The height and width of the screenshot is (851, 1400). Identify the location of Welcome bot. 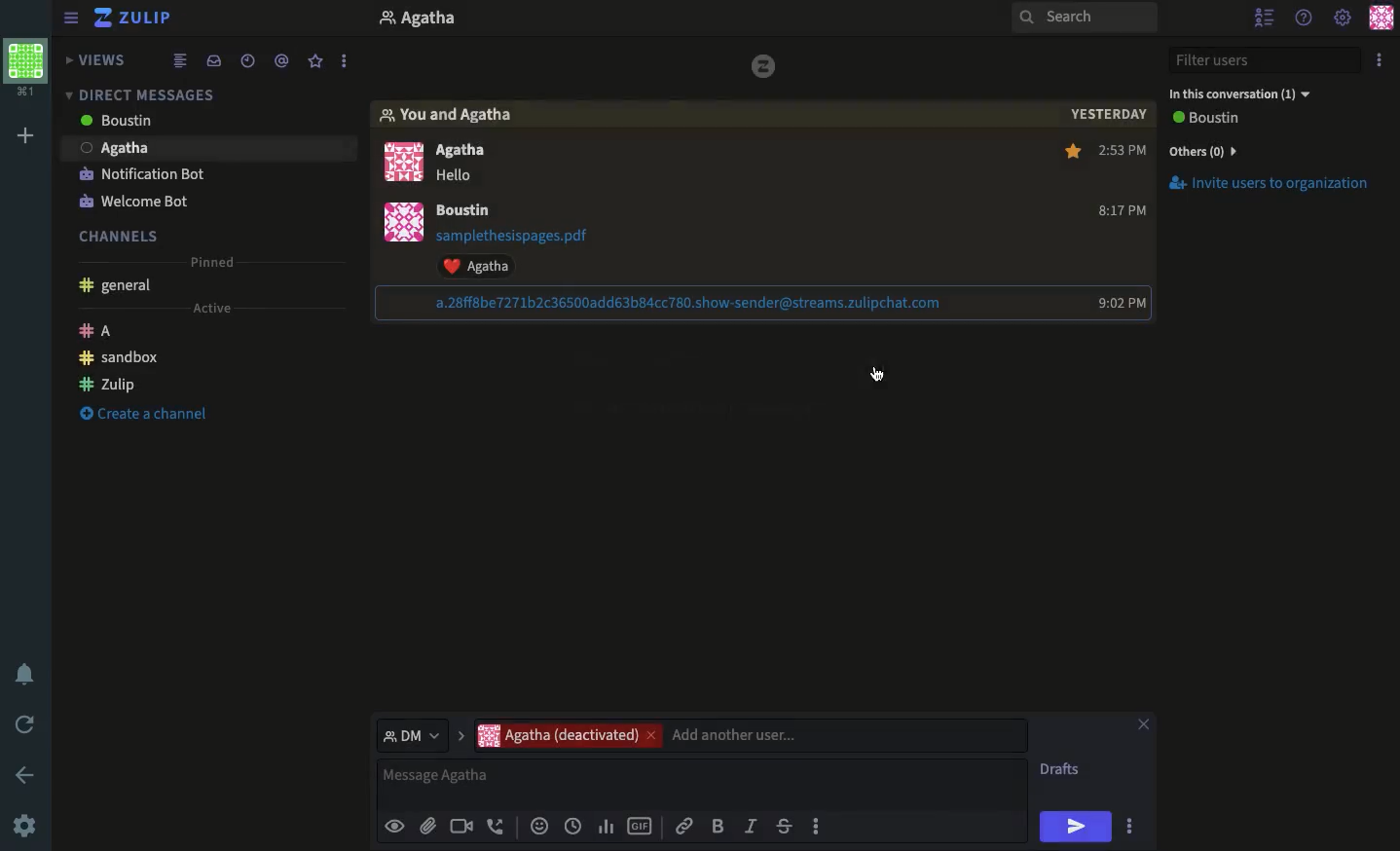
(133, 202).